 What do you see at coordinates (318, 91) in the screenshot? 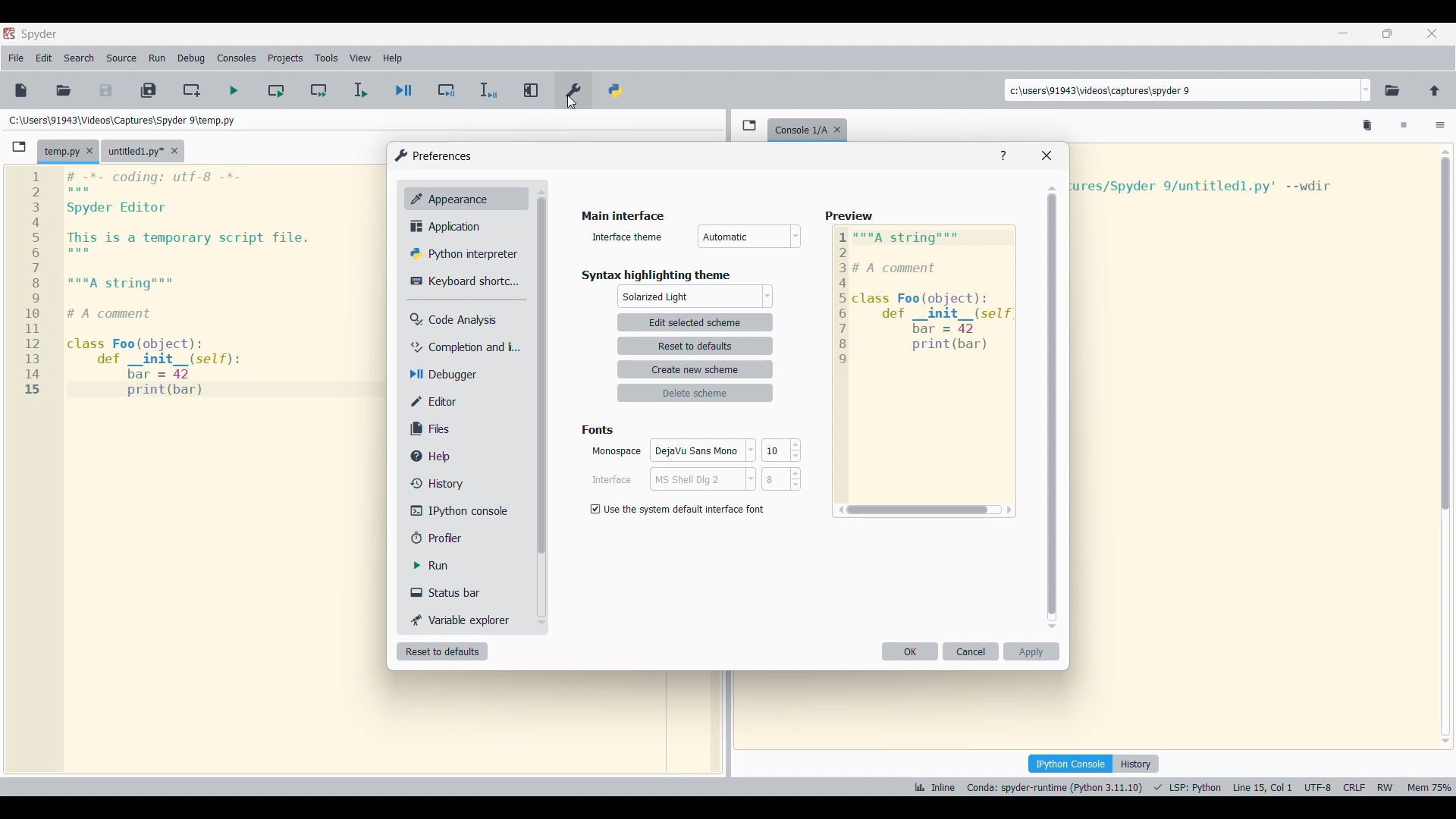
I see `Run current cell and go to next one` at bounding box center [318, 91].